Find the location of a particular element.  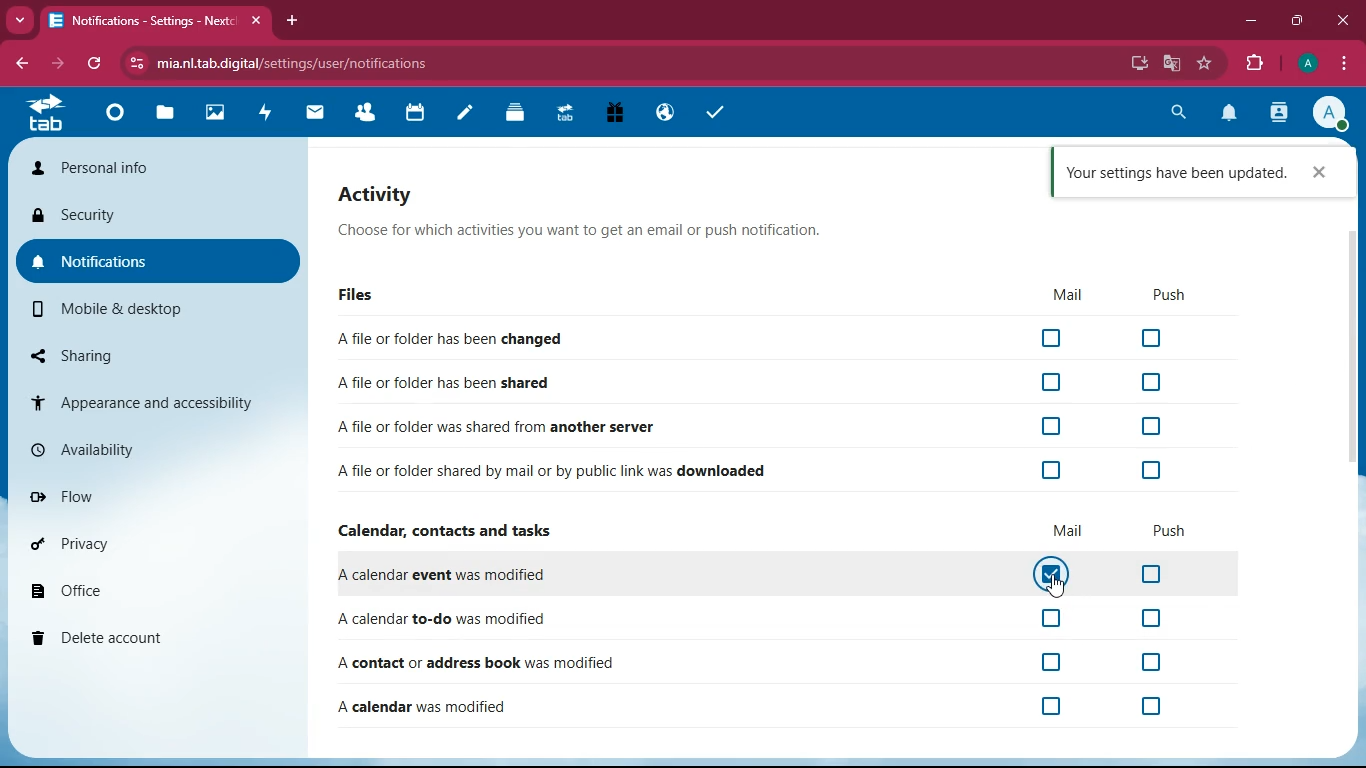

install app is located at coordinates (1139, 63).